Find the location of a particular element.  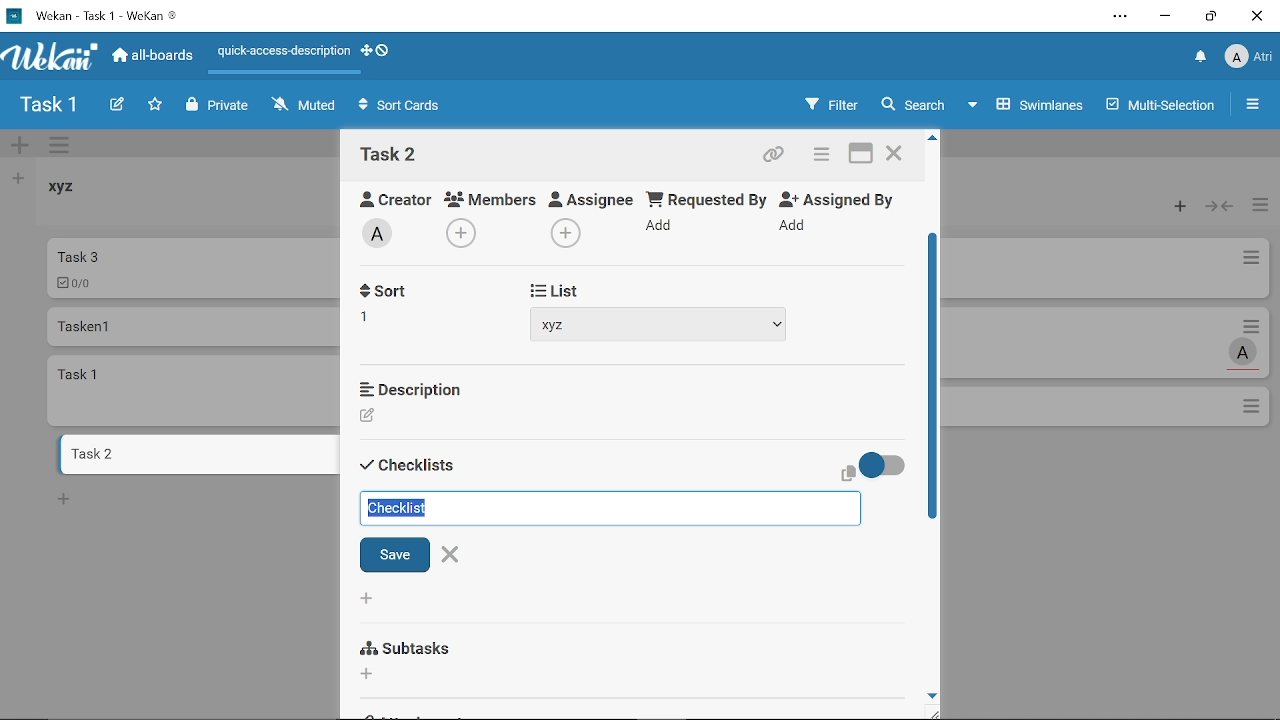

move down is located at coordinates (930, 693).